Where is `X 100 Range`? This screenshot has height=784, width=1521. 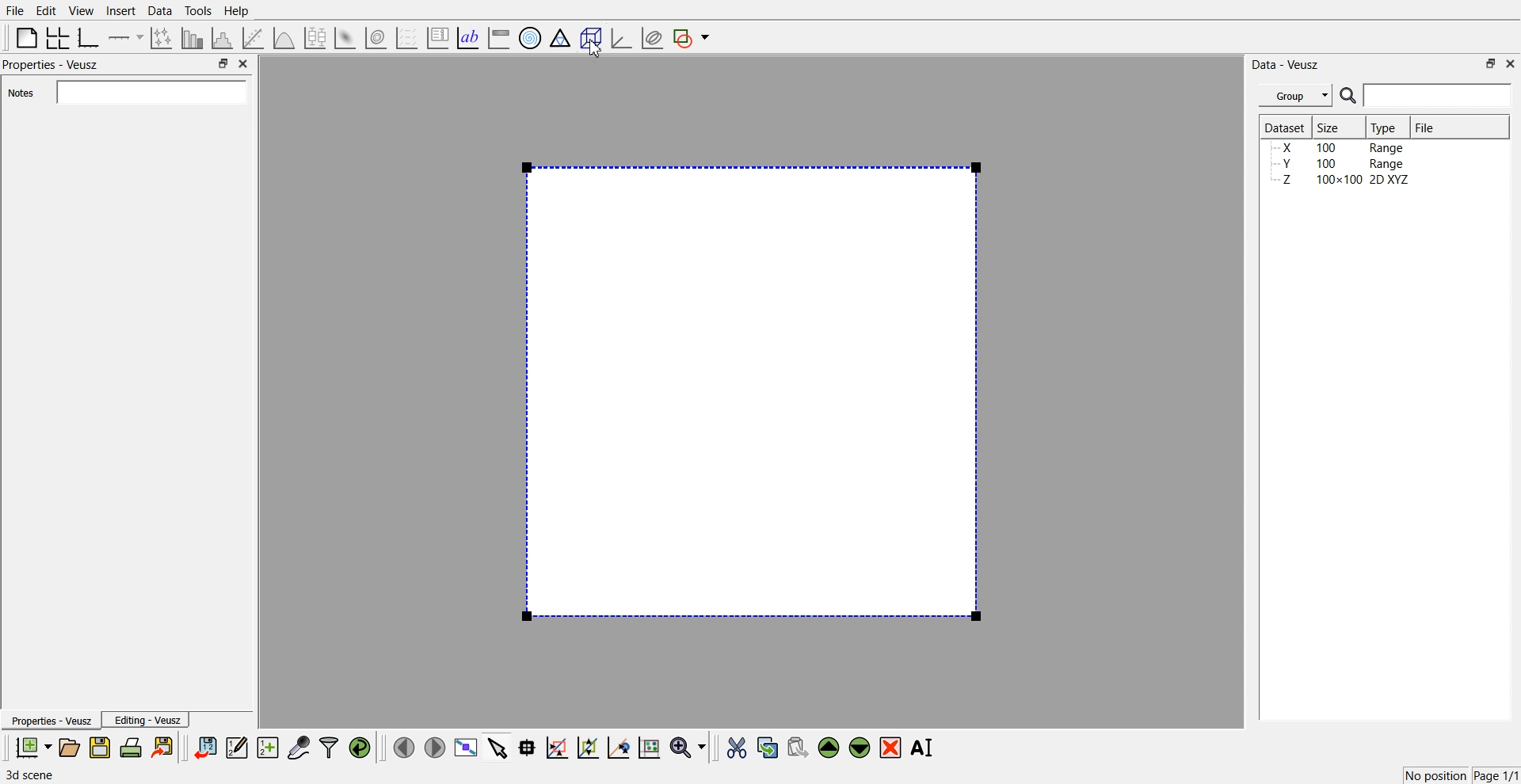 X 100 Range is located at coordinates (1341, 147).